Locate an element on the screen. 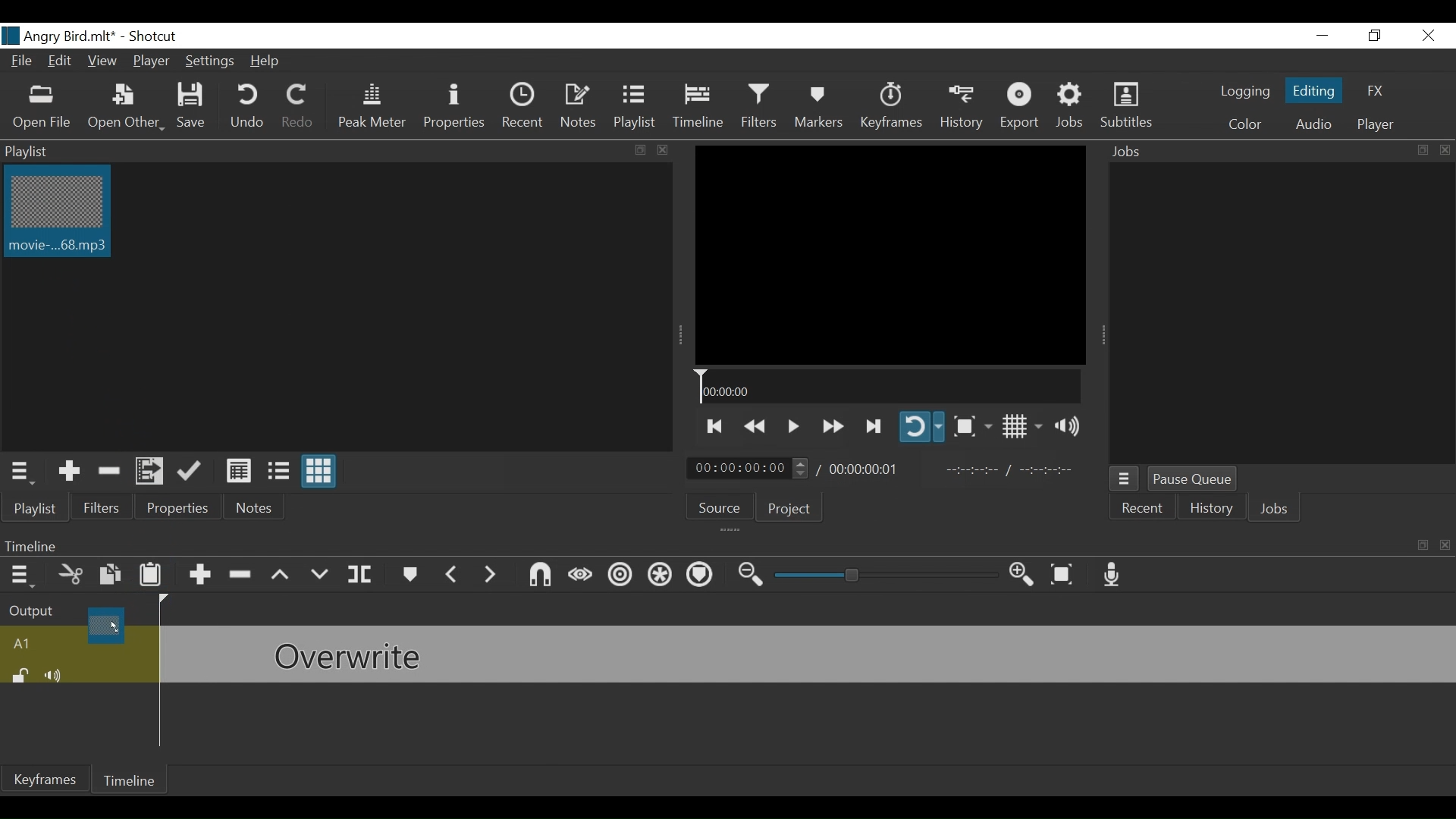  Restore is located at coordinates (1375, 36).